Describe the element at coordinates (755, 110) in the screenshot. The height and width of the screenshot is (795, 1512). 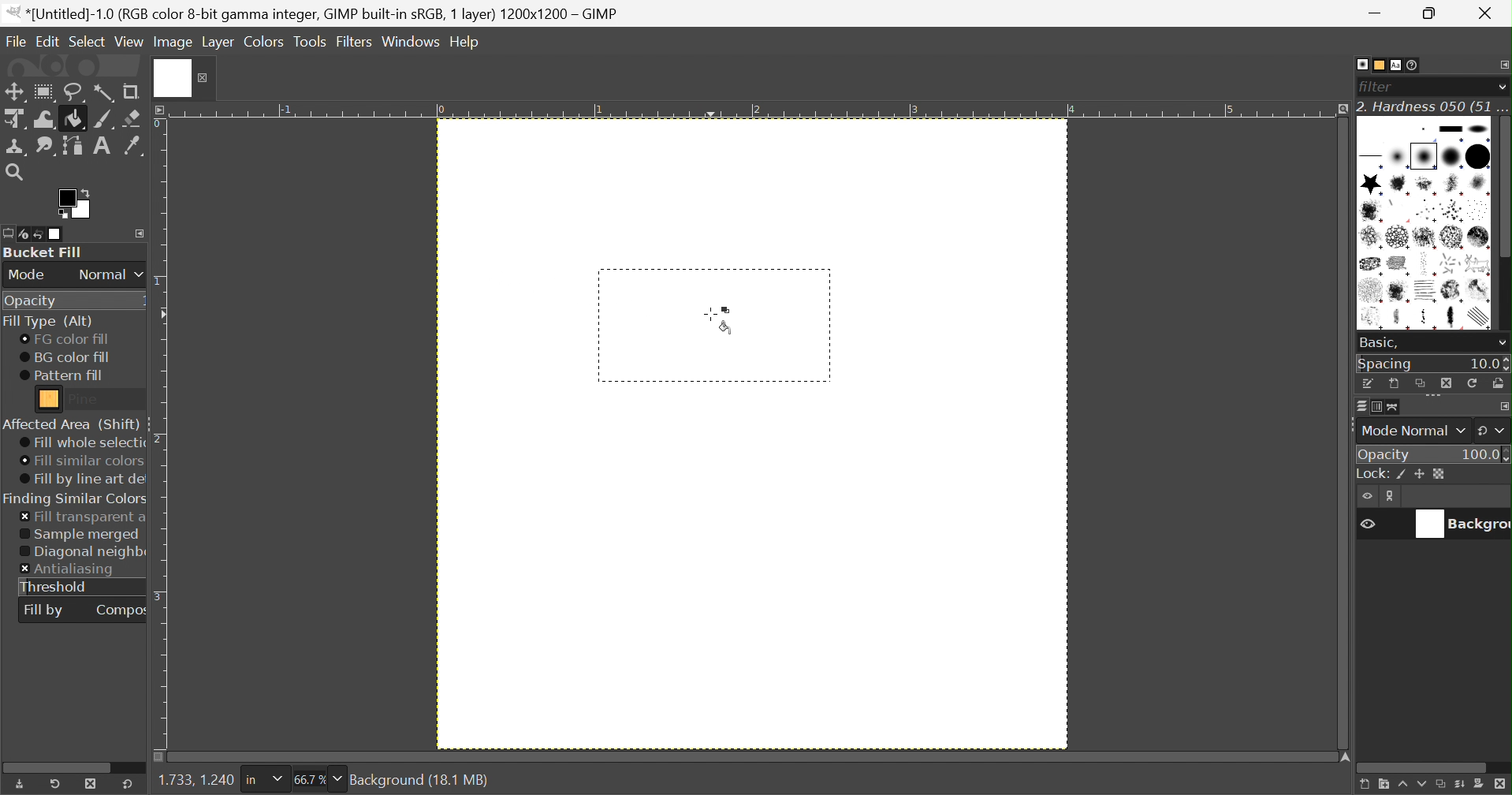
I see `2` at that location.